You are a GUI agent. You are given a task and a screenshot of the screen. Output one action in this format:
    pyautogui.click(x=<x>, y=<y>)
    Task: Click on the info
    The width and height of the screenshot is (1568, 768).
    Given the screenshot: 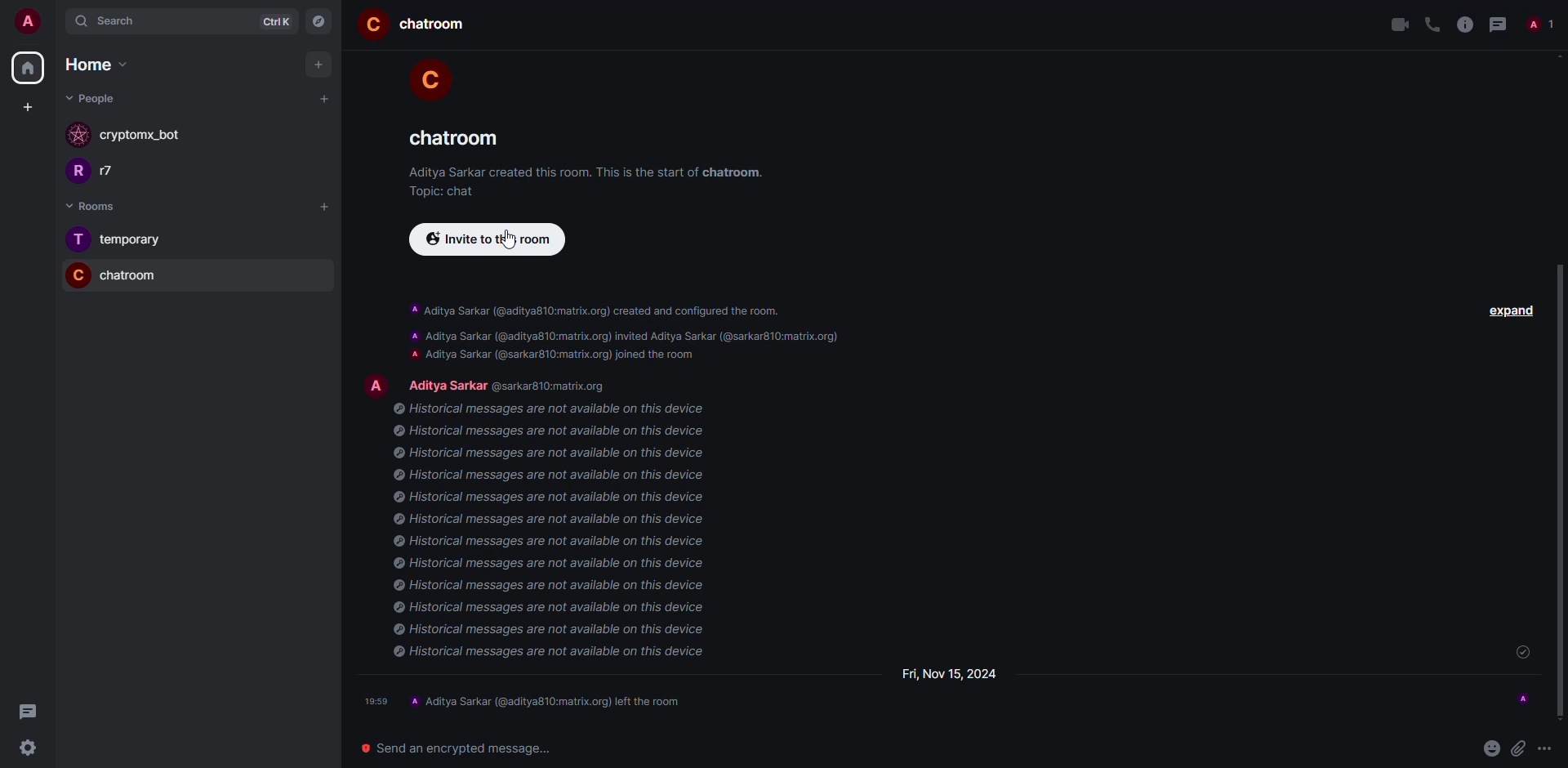 What is the action you would take?
    pyautogui.click(x=1463, y=25)
    